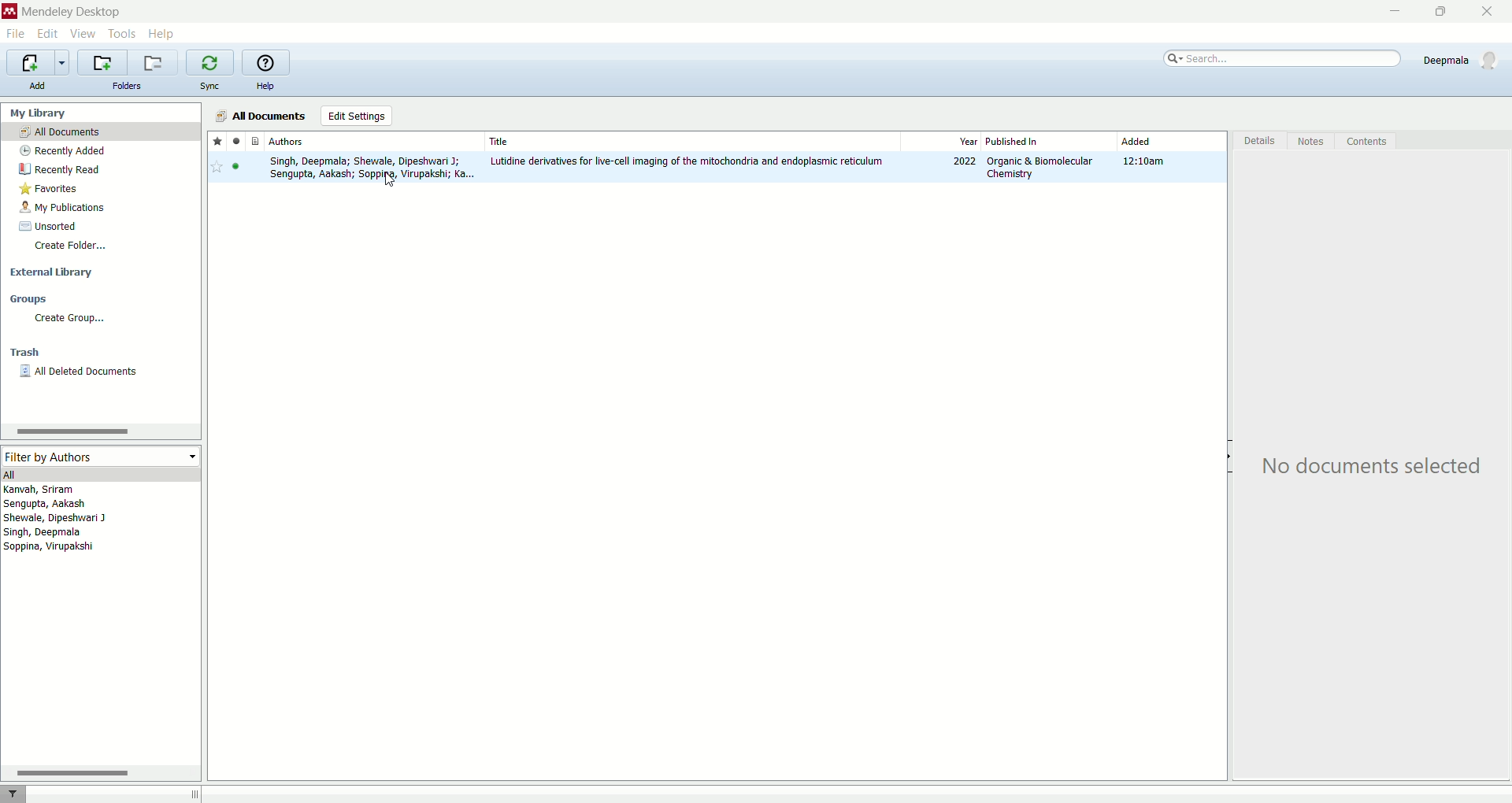 The image size is (1512, 803). What do you see at coordinates (47, 33) in the screenshot?
I see `edit` at bounding box center [47, 33].